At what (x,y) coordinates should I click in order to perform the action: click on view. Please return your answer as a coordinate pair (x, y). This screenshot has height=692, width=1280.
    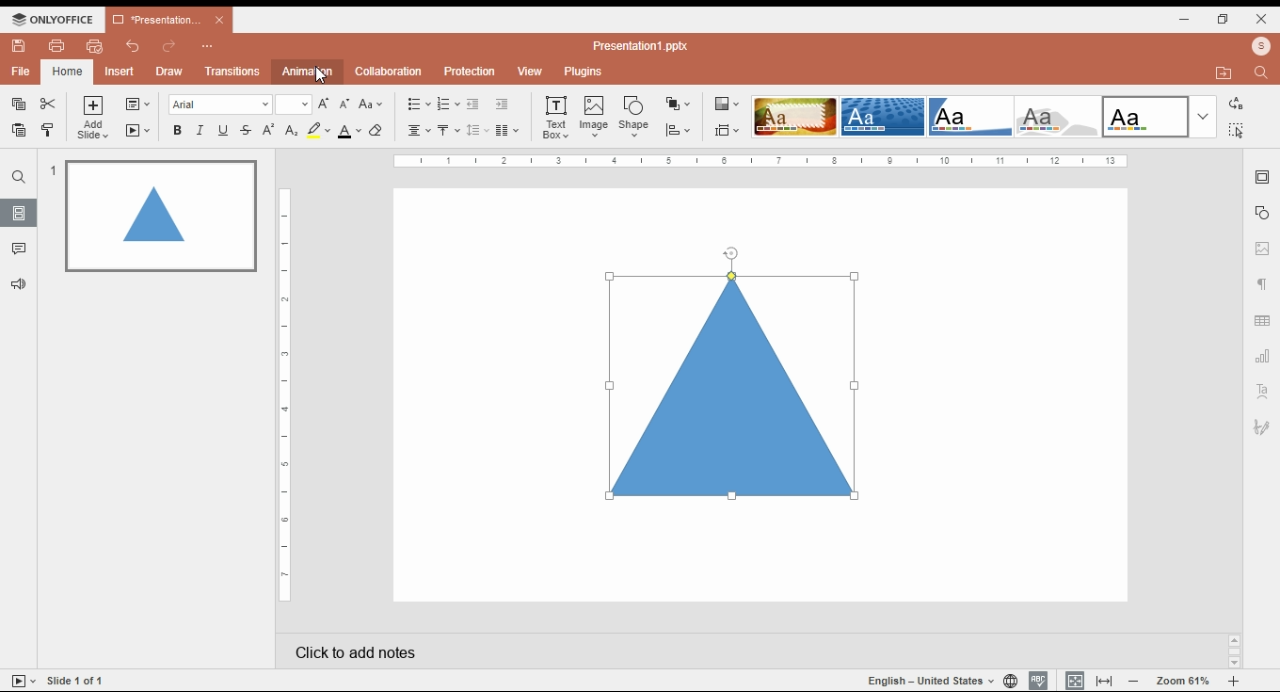
    Looking at the image, I should click on (531, 72).